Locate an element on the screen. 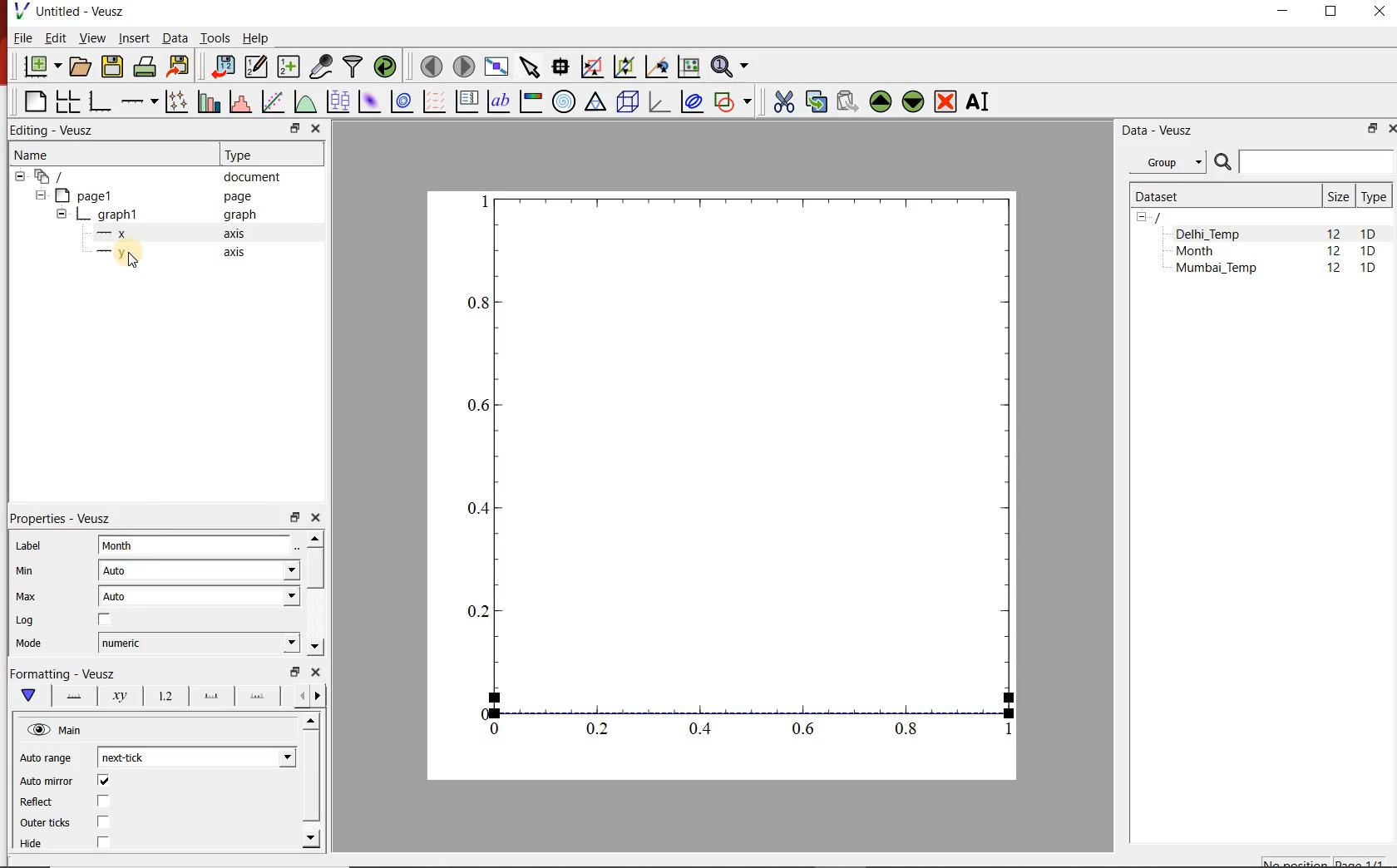 Image resolution: width=1397 pixels, height=868 pixels. Formatting - Veusz is located at coordinates (67, 673).